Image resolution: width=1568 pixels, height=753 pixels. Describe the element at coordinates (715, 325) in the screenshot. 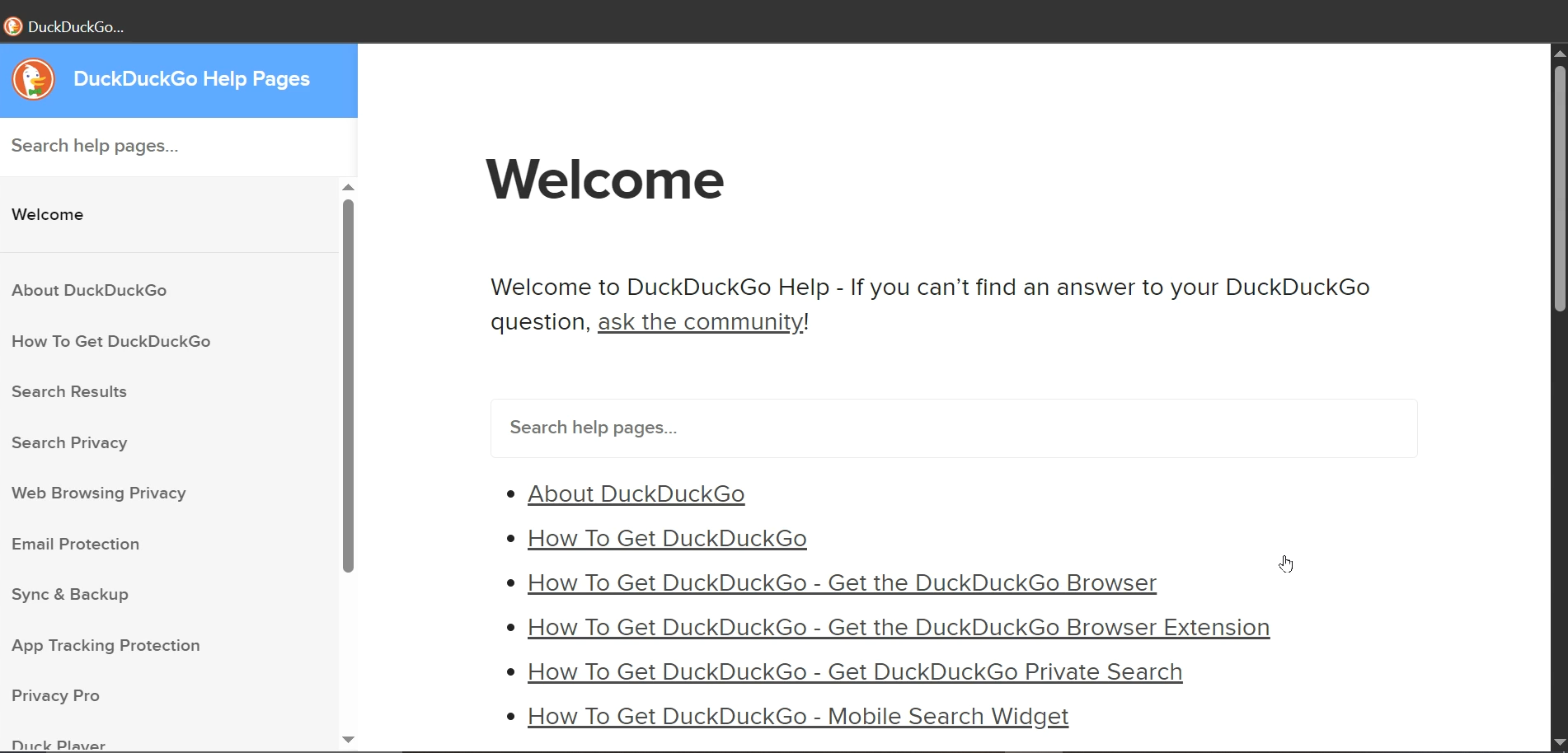

I see `ask the community!` at that location.